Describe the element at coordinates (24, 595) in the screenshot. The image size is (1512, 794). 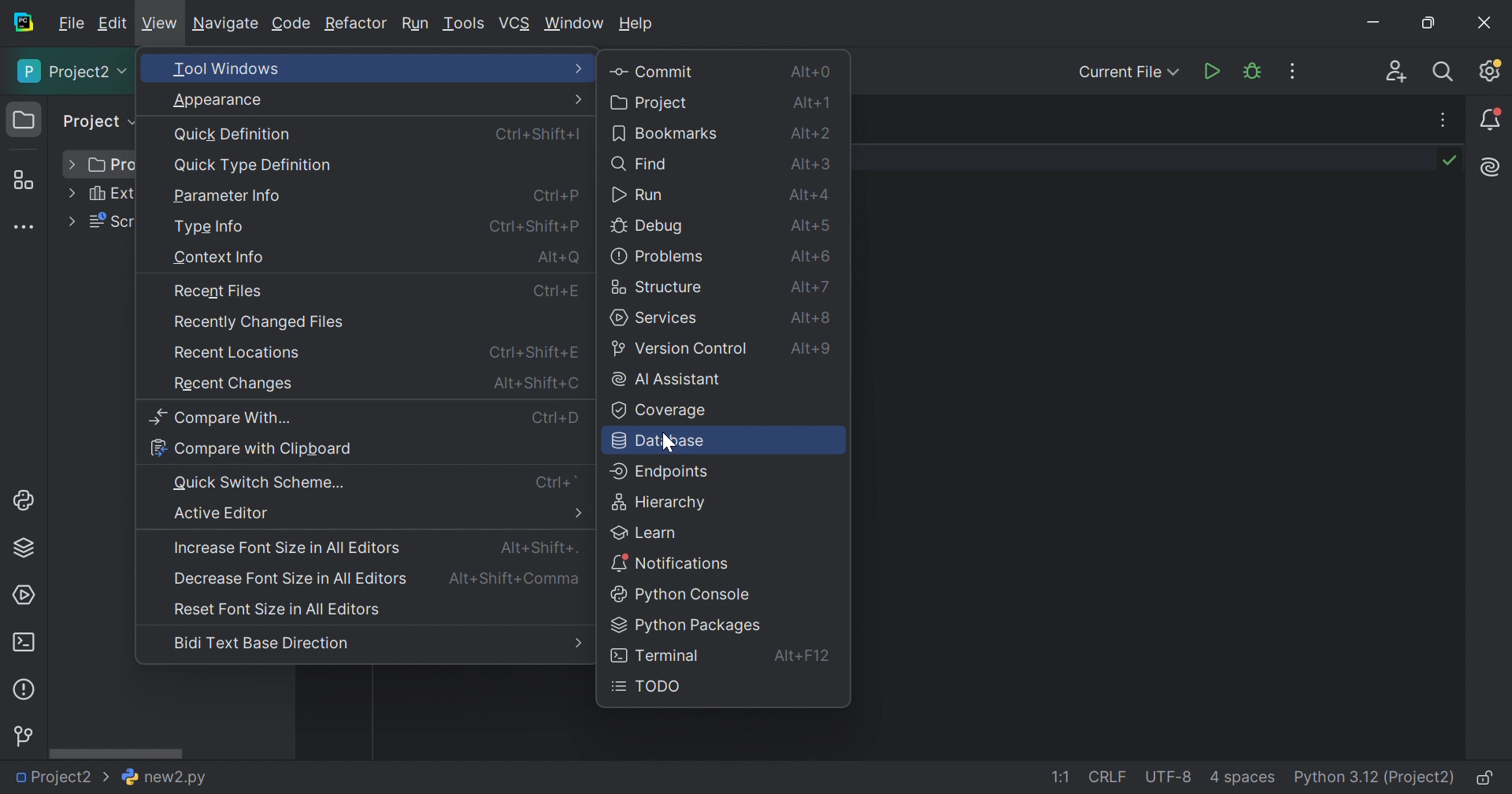
I see `Services` at that location.